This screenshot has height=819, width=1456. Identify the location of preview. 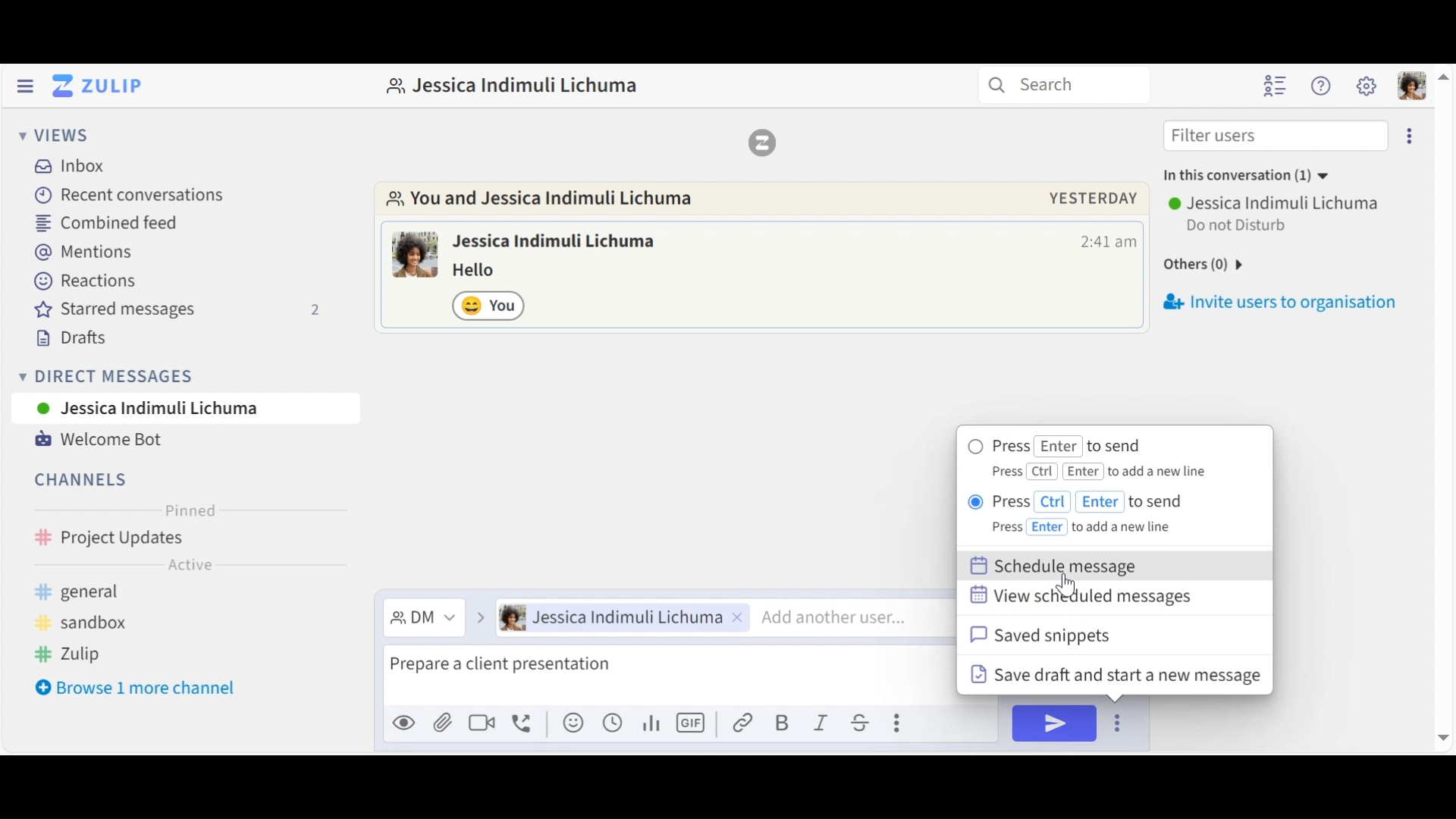
(404, 723).